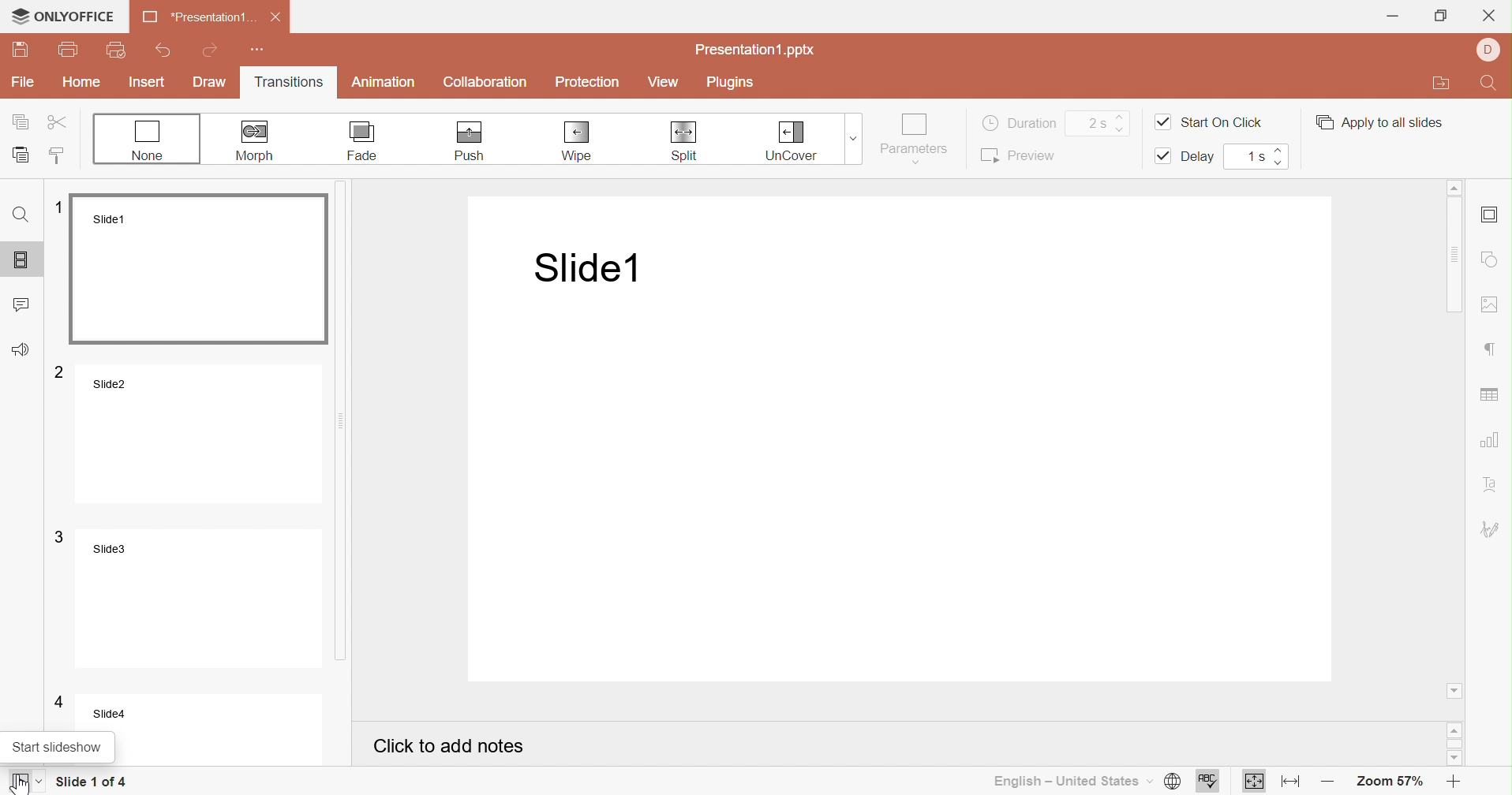  What do you see at coordinates (61, 13) in the screenshot?
I see `ONLYOFFICE` at bounding box center [61, 13].